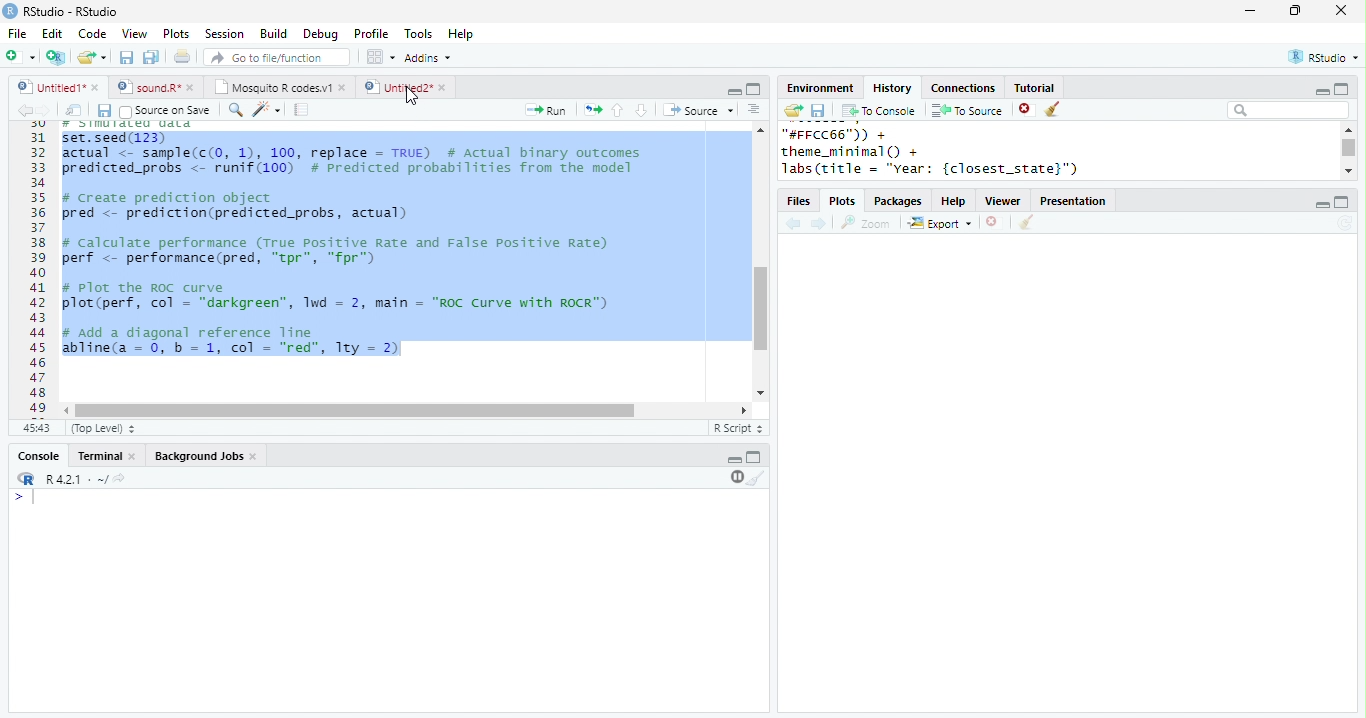 The image size is (1366, 718). What do you see at coordinates (995, 223) in the screenshot?
I see `close file` at bounding box center [995, 223].